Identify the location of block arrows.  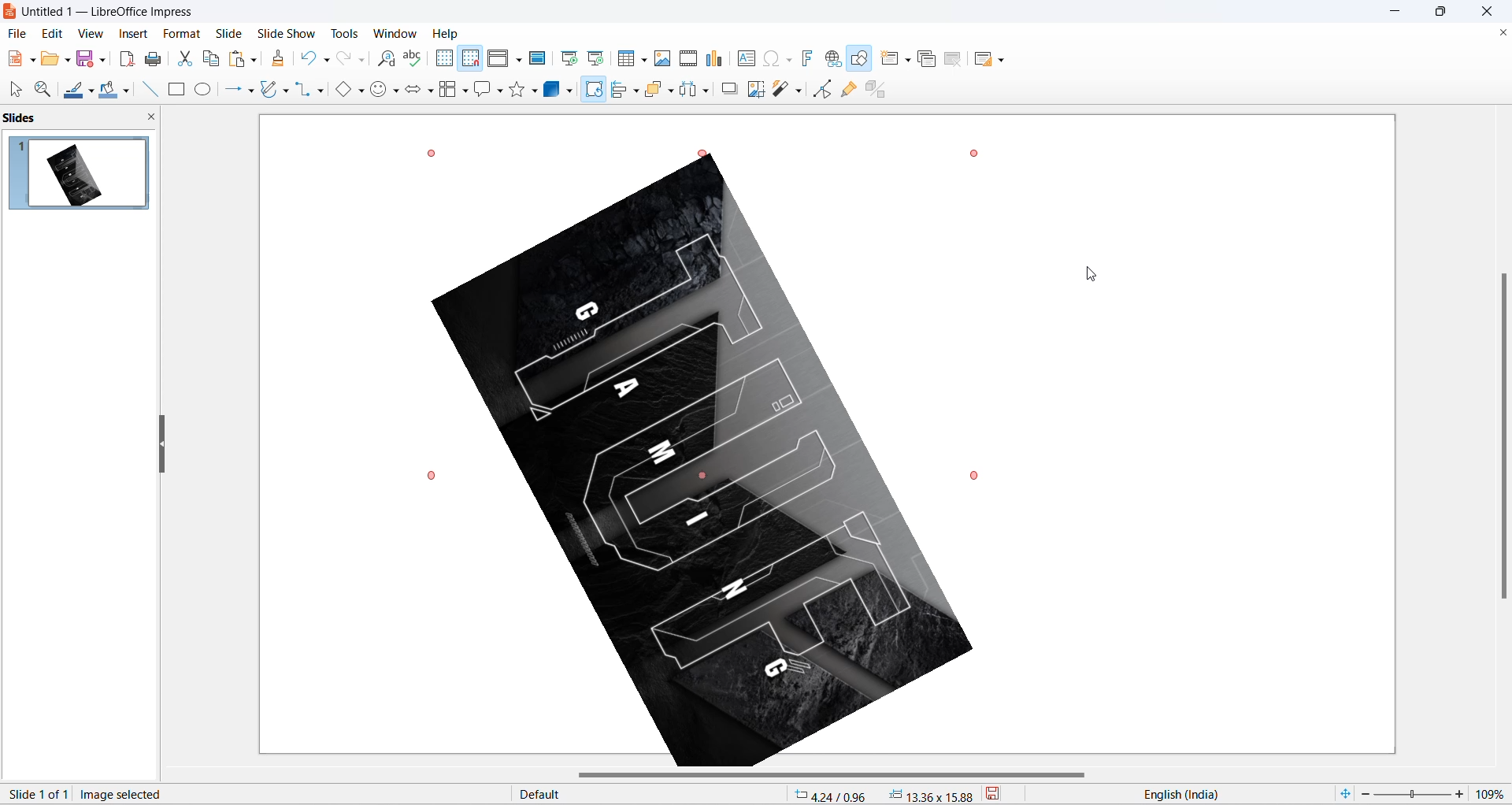
(413, 92).